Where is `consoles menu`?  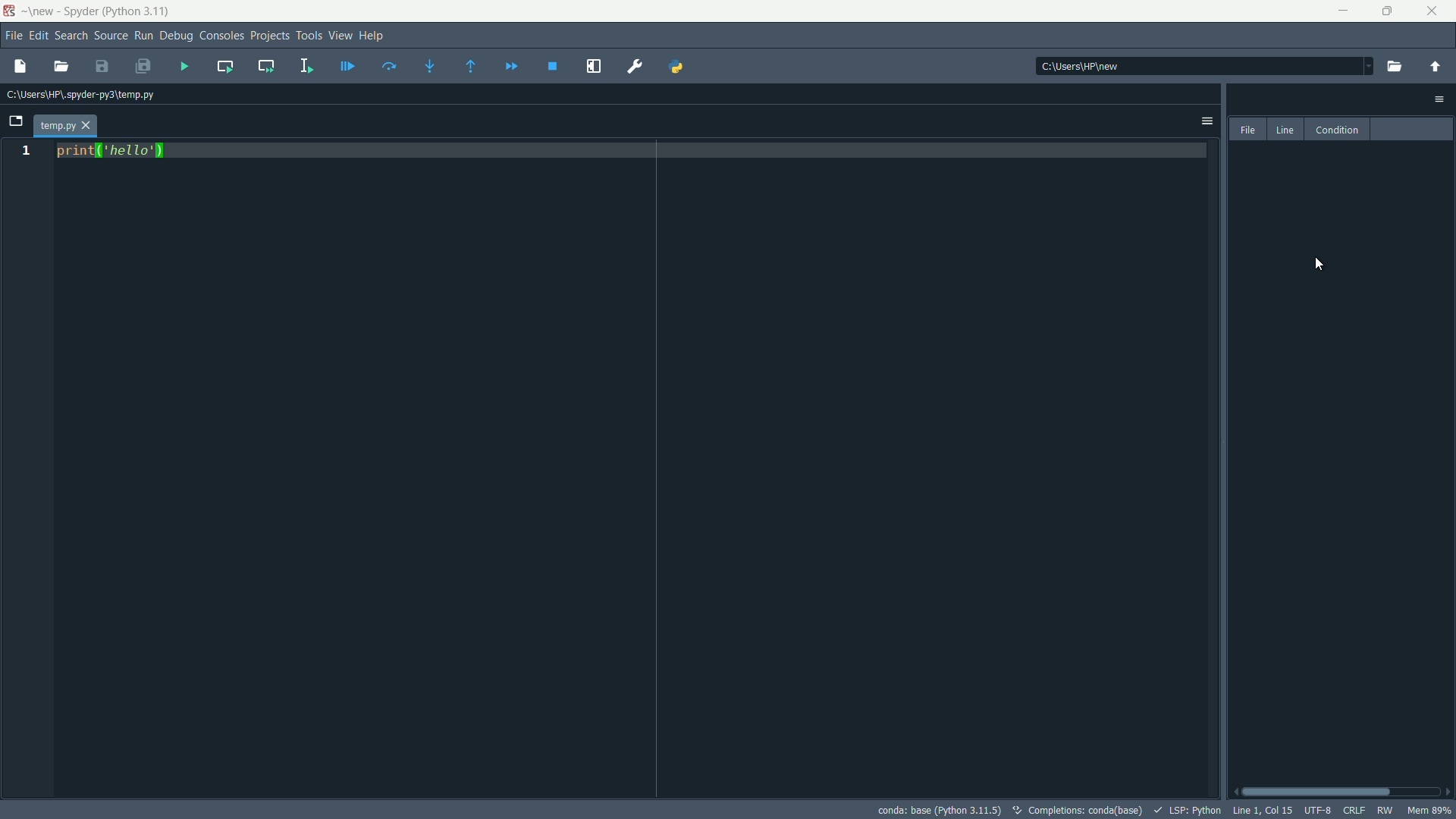 consoles menu is located at coordinates (221, 36).